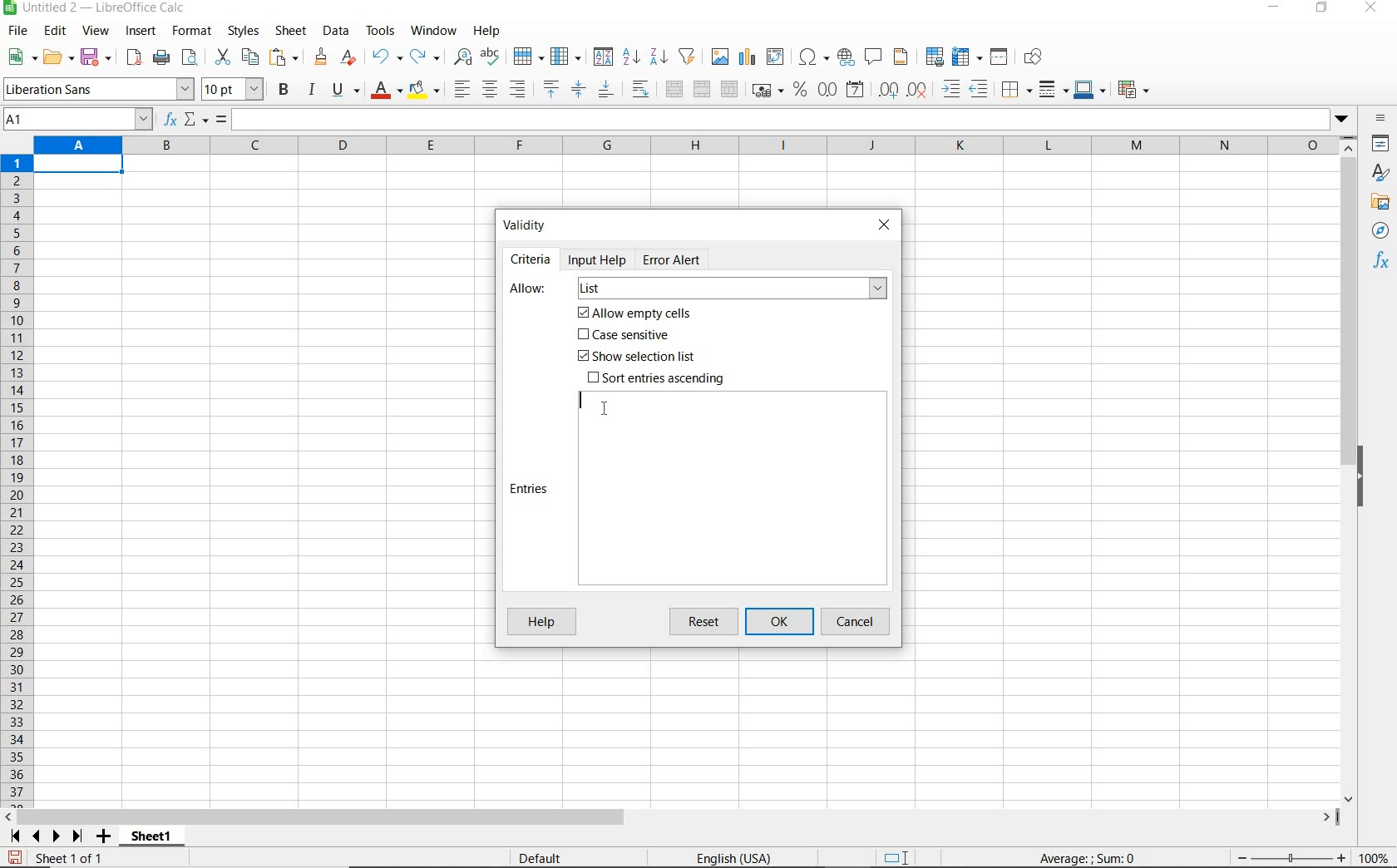  What do you see at coordinates (625, 336) in the screenshot?
I see `Case sensitive` at bounding box center [625, 336].